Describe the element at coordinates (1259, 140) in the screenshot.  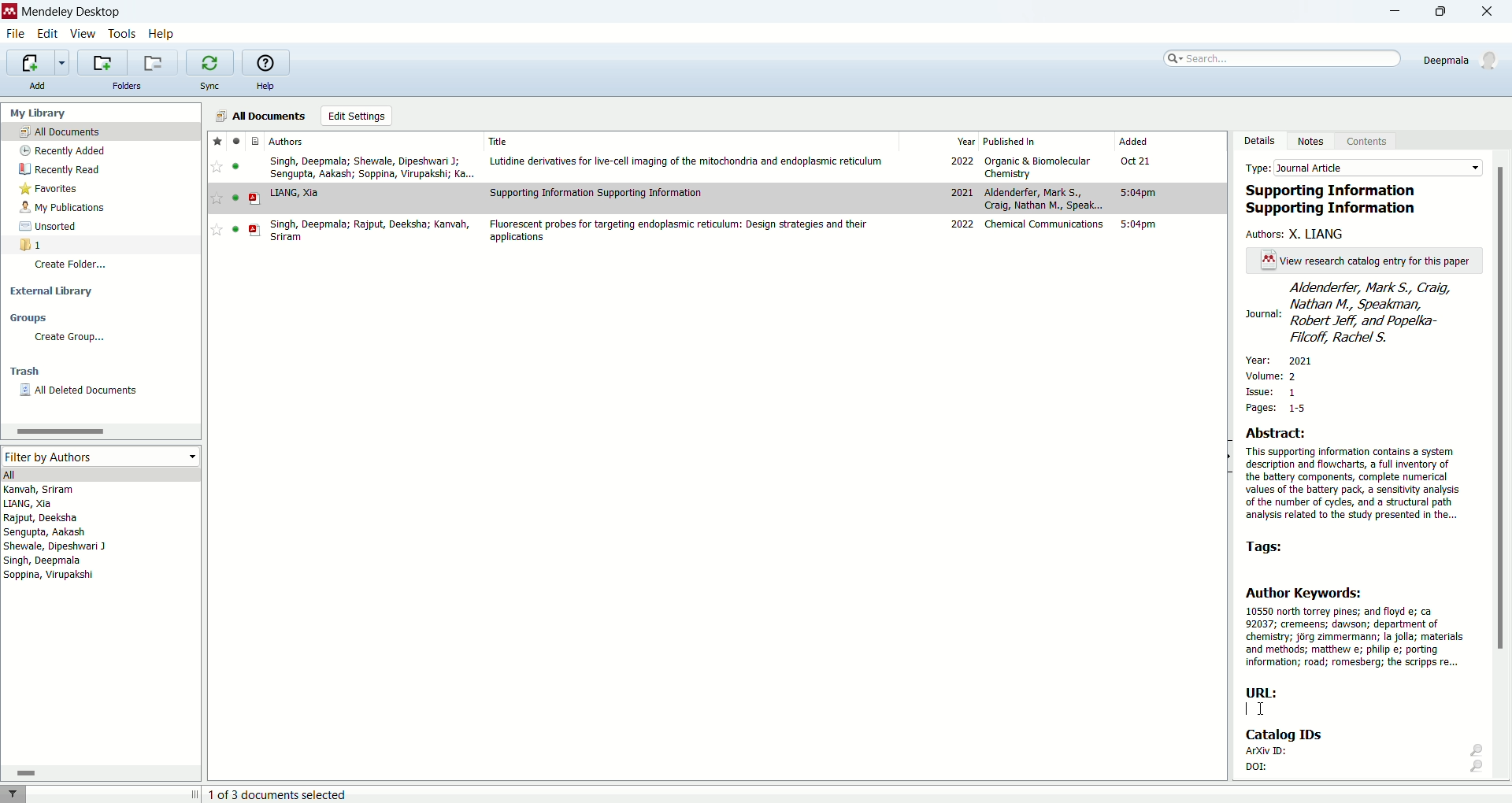
I see `details` at that location.